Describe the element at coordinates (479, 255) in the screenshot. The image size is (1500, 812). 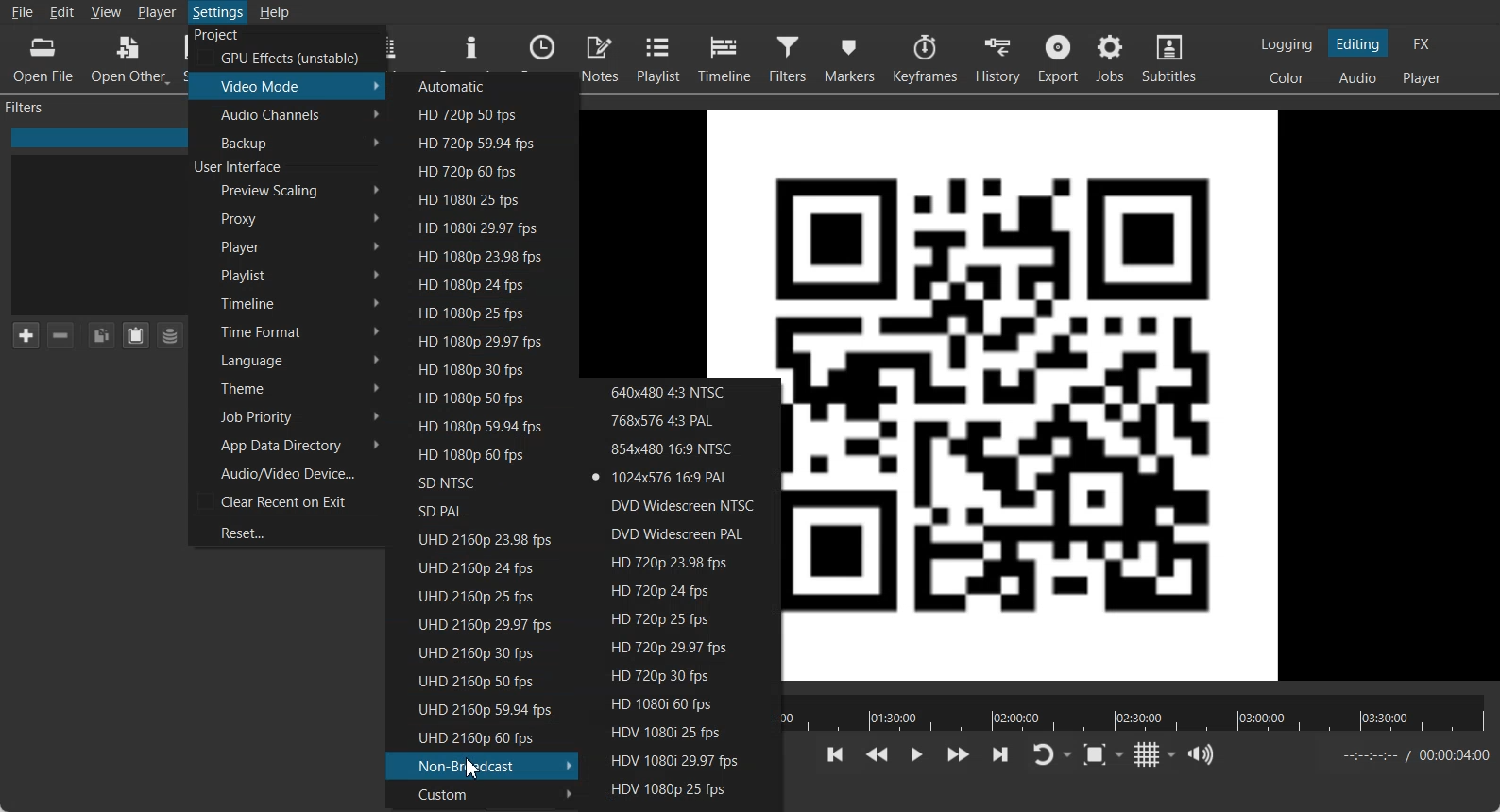
I see `HD 1080p 23.98 fps` at that location.